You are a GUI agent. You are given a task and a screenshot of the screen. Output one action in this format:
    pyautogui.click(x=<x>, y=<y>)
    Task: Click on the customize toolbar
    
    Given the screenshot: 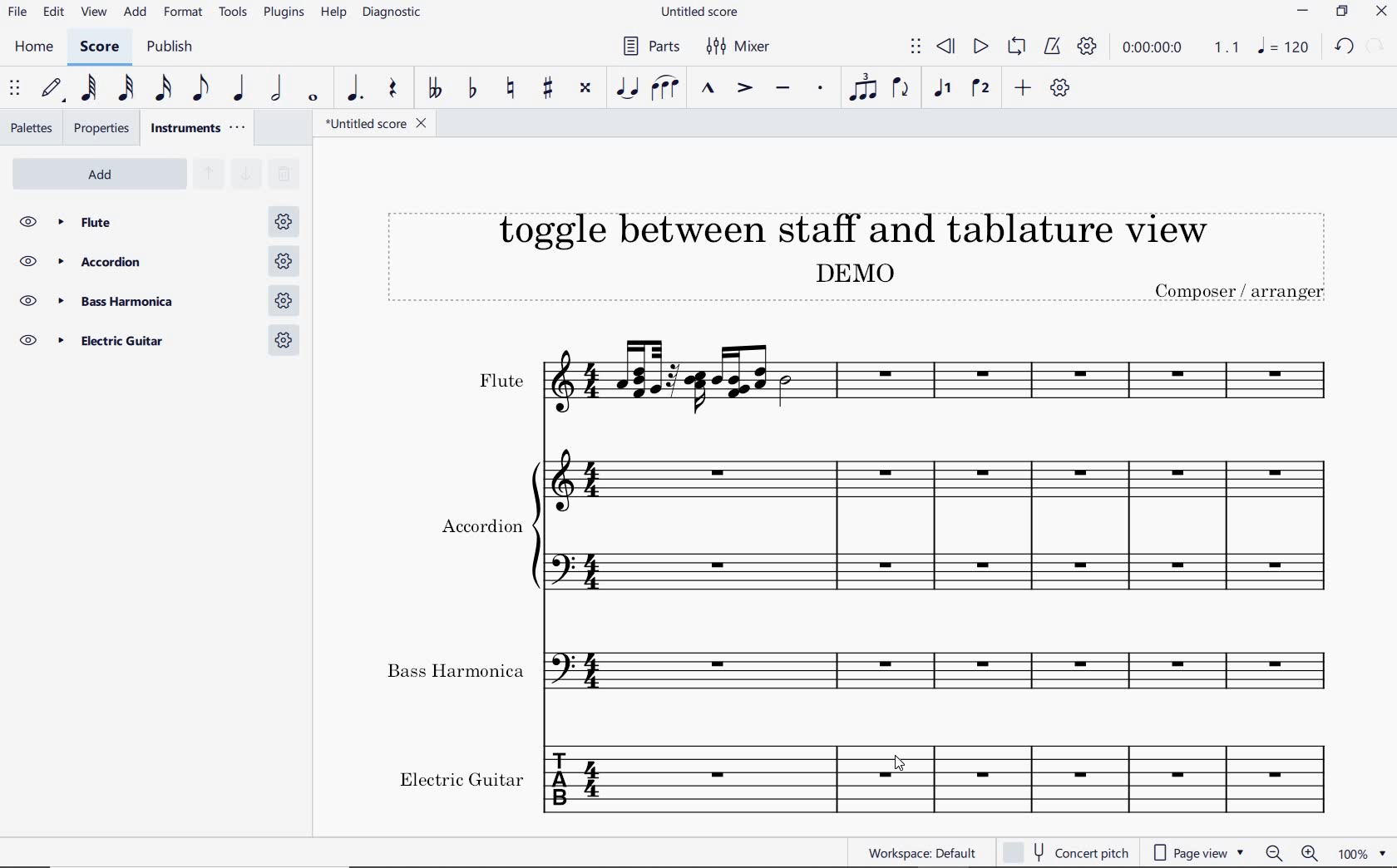 What is the action you would take?
    pyautogui.click(x=1063, y=90)
    